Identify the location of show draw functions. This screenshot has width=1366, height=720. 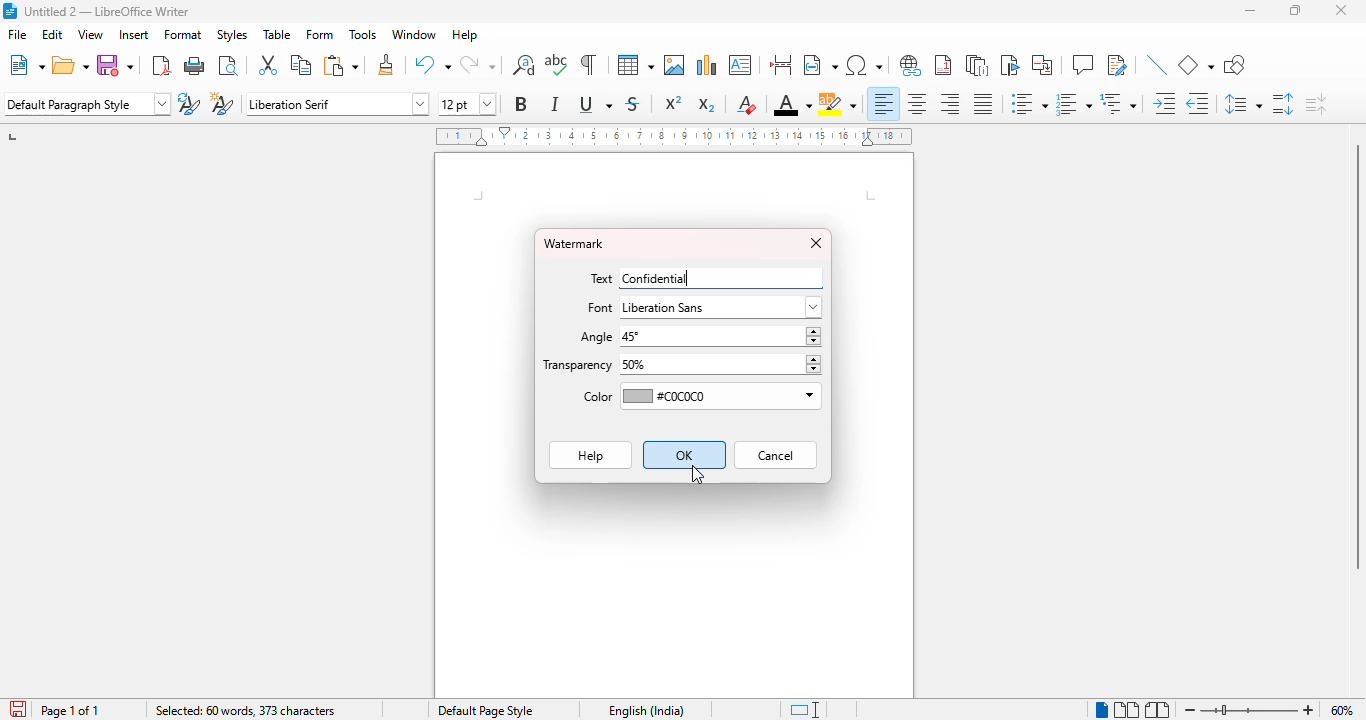
(1235, 65).